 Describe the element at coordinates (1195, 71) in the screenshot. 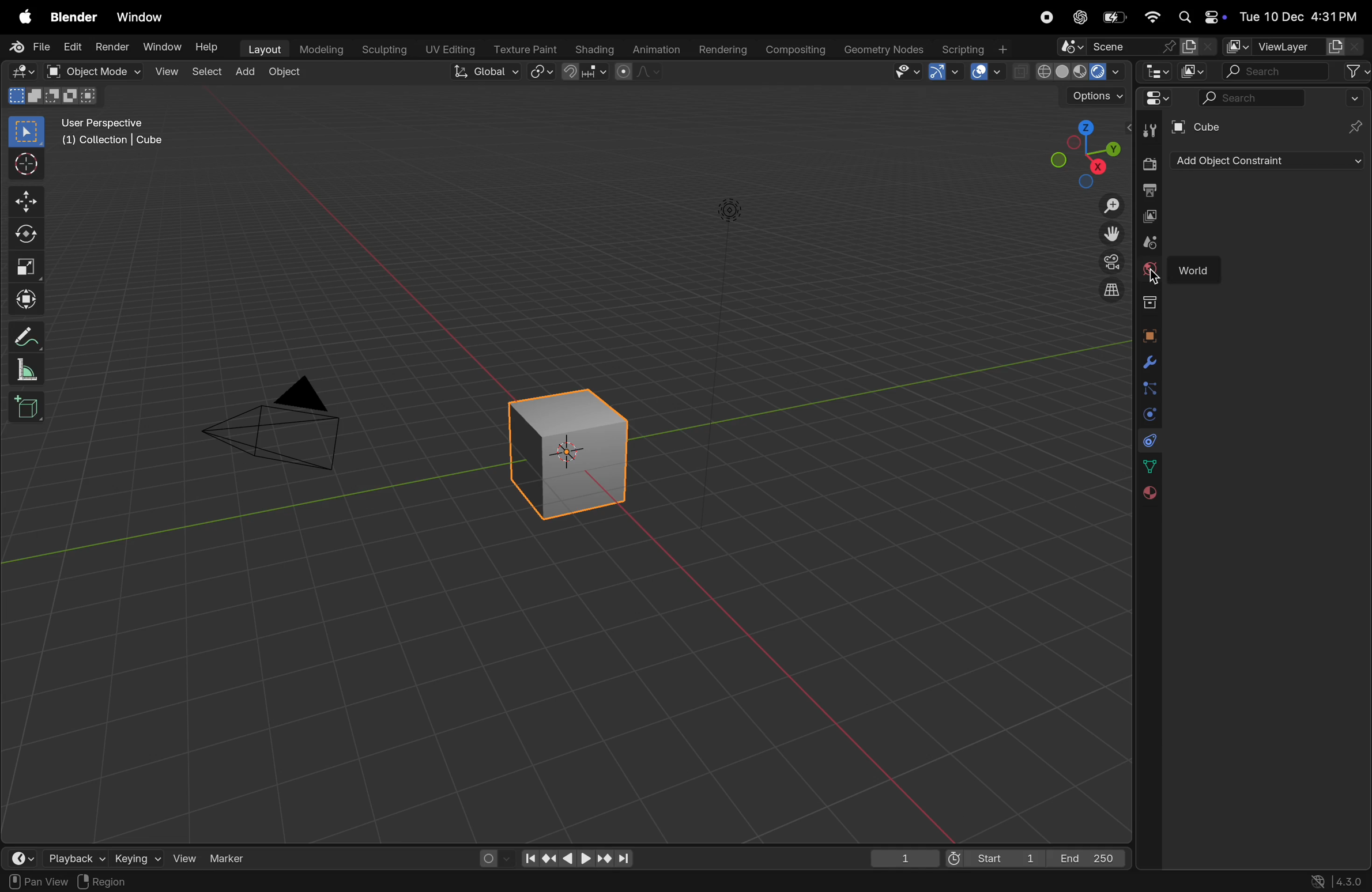

I see `image` at that location.